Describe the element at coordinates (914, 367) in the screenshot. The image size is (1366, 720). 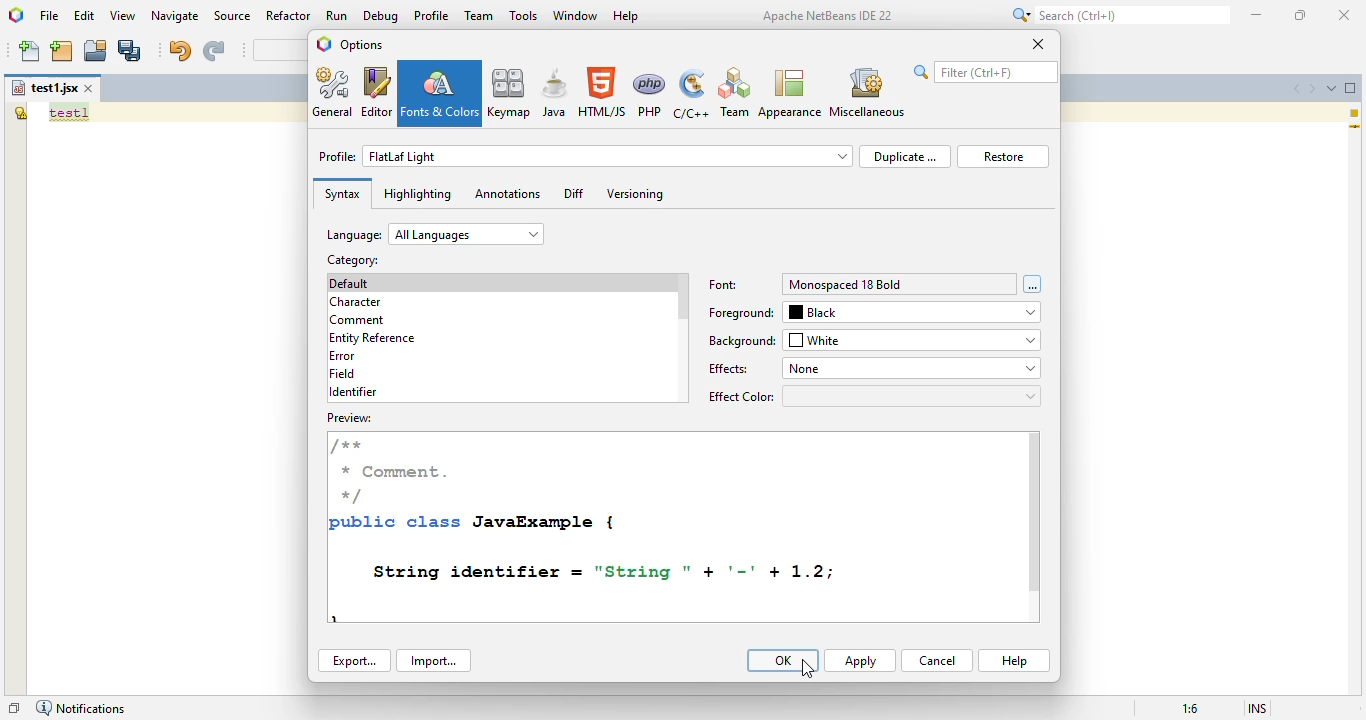
I see `none` at that location.